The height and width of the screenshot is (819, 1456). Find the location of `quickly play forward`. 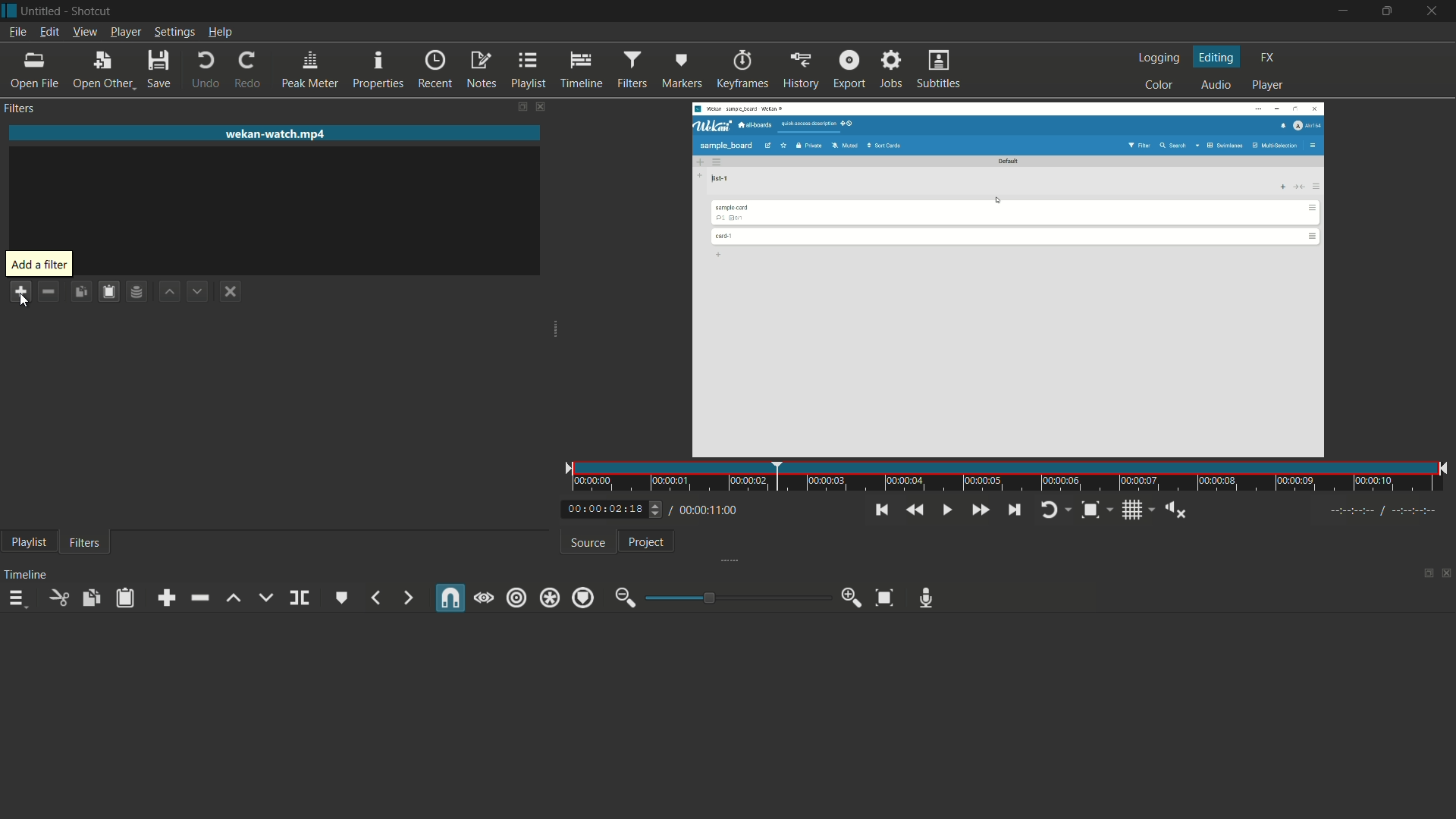

quickly play forward is located at coordinates (980, 510).